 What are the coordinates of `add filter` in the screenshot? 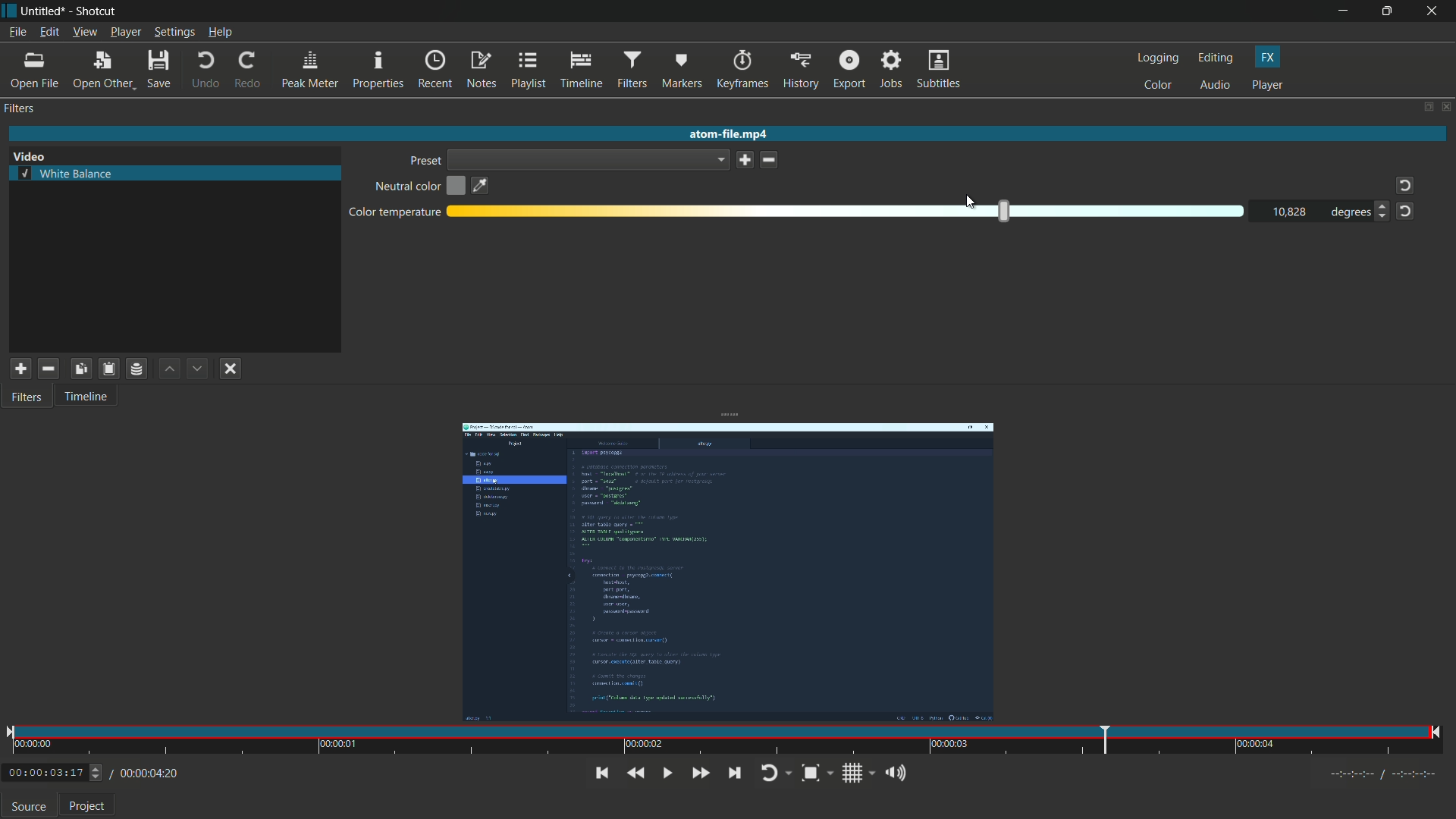 It's located at (20, 370).